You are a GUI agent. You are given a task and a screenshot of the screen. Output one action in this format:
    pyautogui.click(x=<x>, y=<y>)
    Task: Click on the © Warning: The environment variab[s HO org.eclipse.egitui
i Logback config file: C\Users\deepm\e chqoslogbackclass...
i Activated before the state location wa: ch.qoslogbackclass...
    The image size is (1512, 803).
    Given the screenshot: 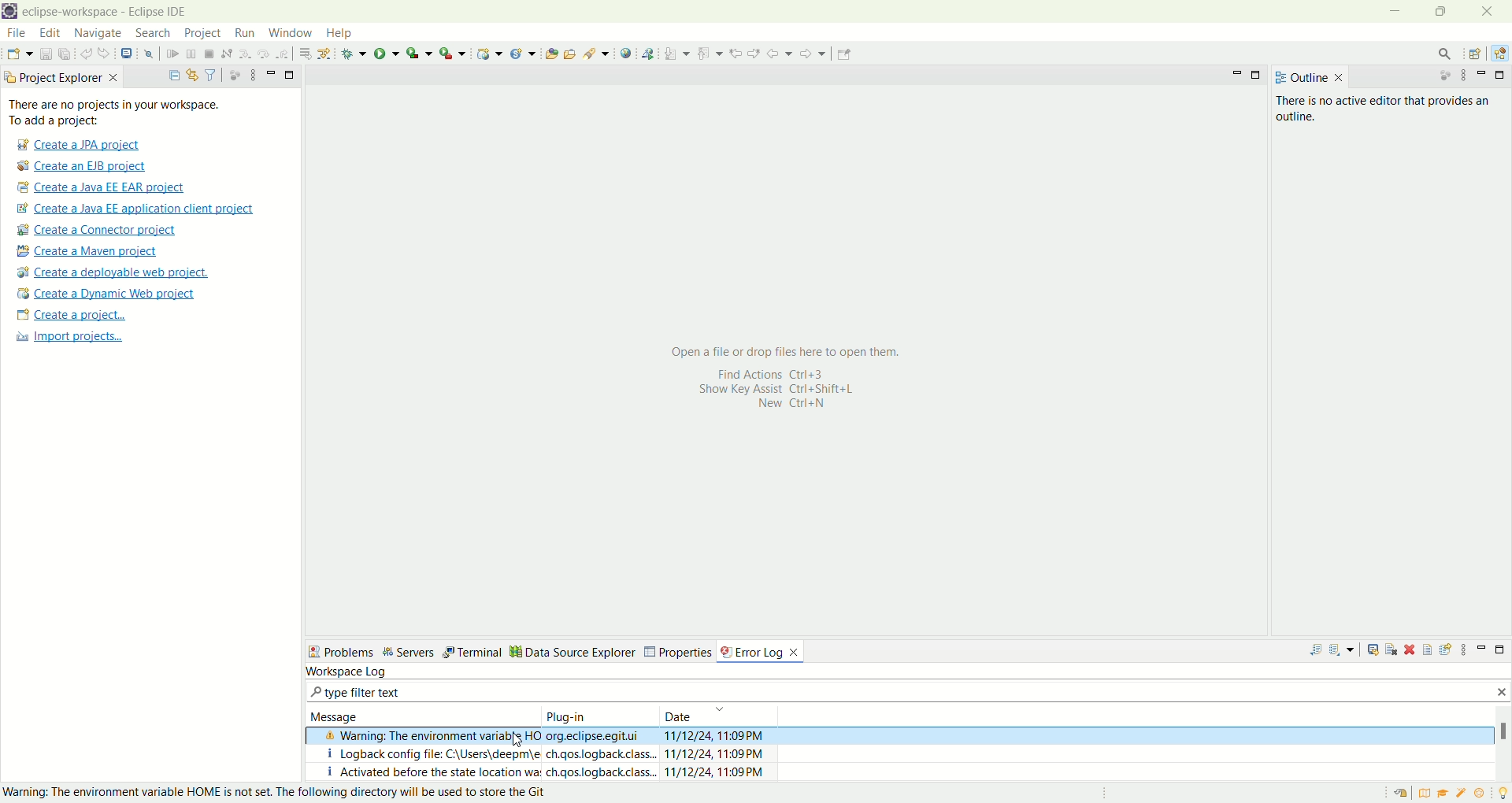 What is the action you would take?
    pyautogui.click(x=484, y=753)
    